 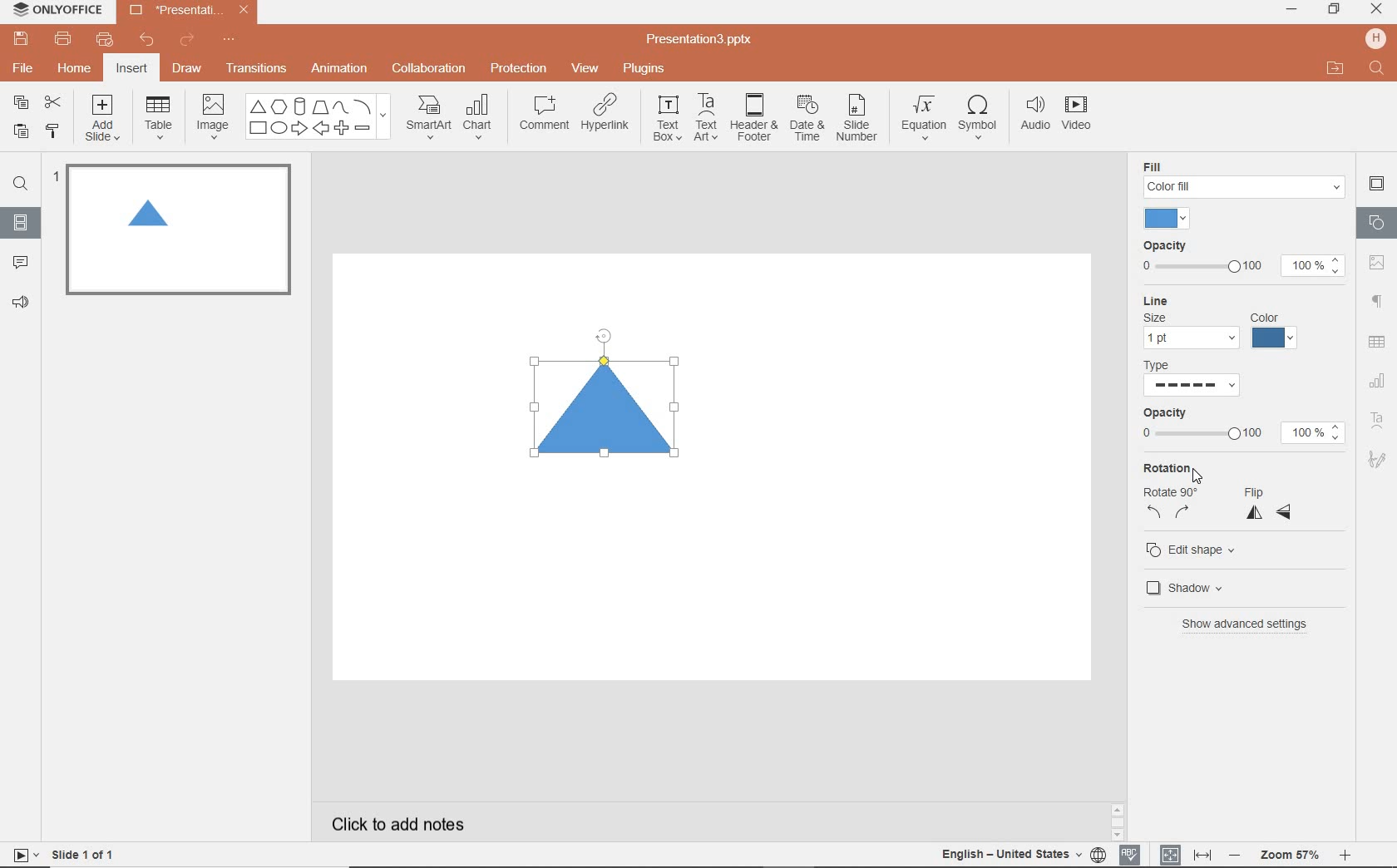 I want to click on ADD SLIDE, so click(x=105, y=121).